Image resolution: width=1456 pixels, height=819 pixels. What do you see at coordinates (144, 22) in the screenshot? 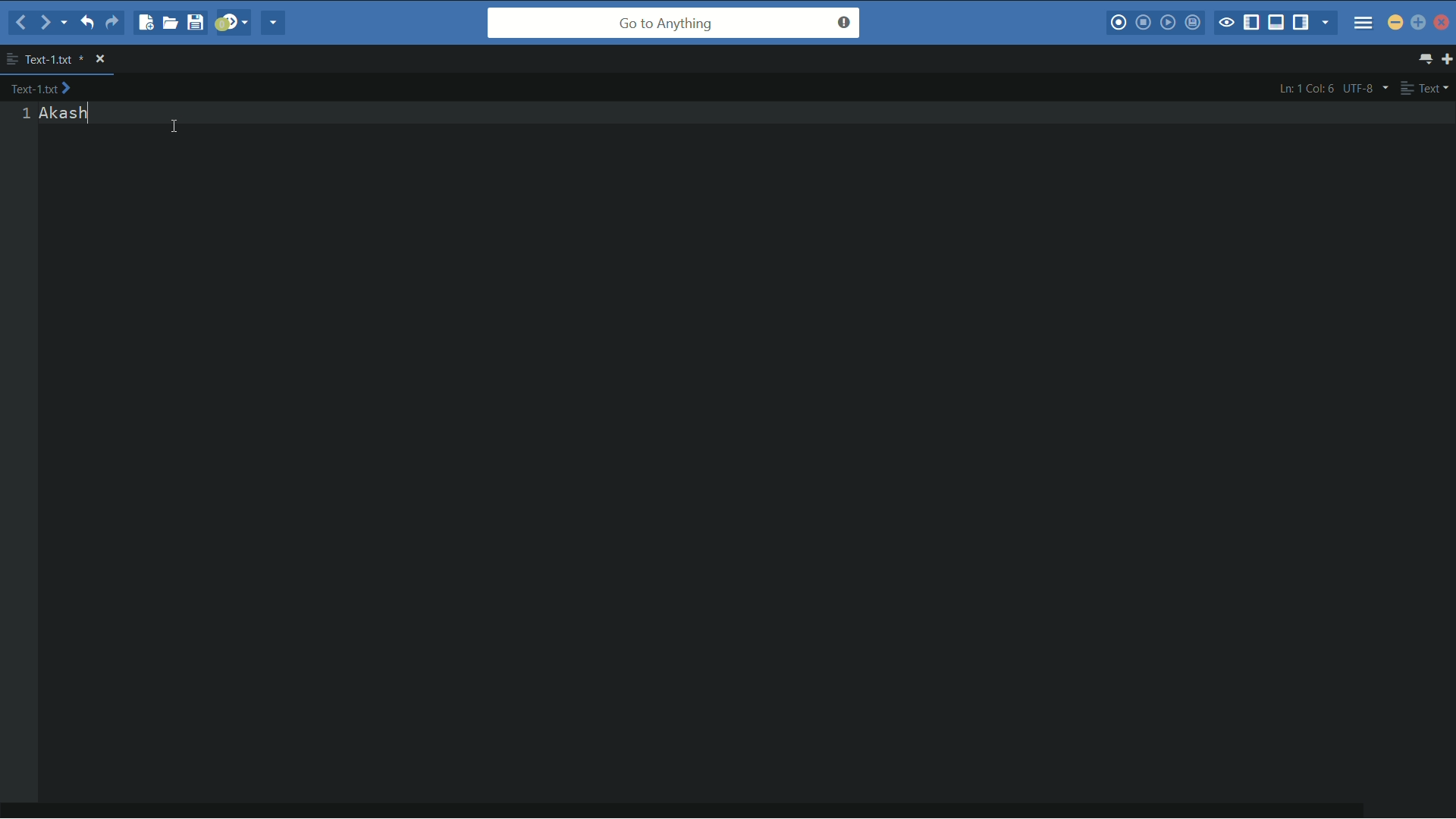
I see `new file` at bounding box center [144, 22].